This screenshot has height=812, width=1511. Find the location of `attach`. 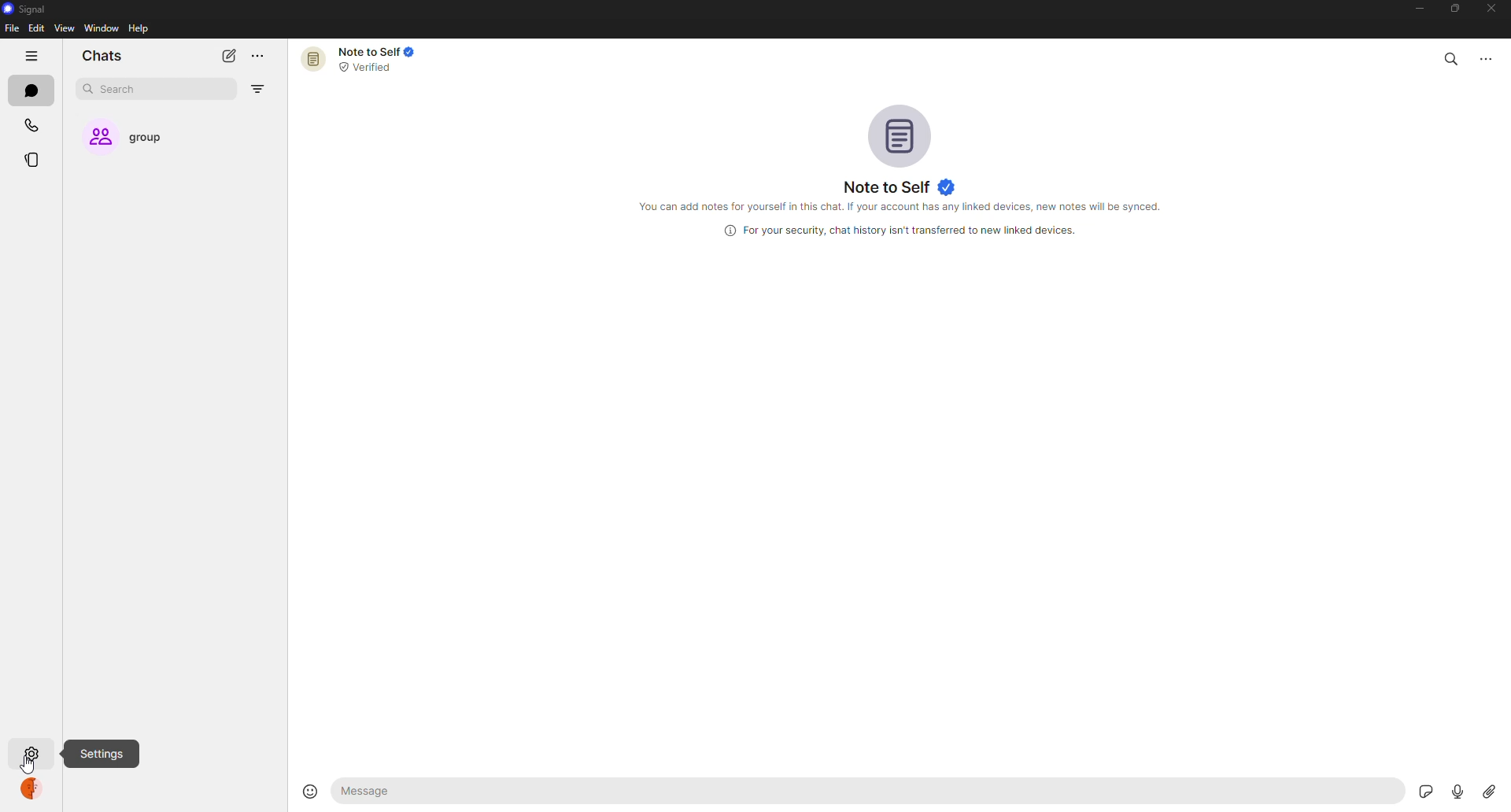

attach is located at coordinates (1487, 791).